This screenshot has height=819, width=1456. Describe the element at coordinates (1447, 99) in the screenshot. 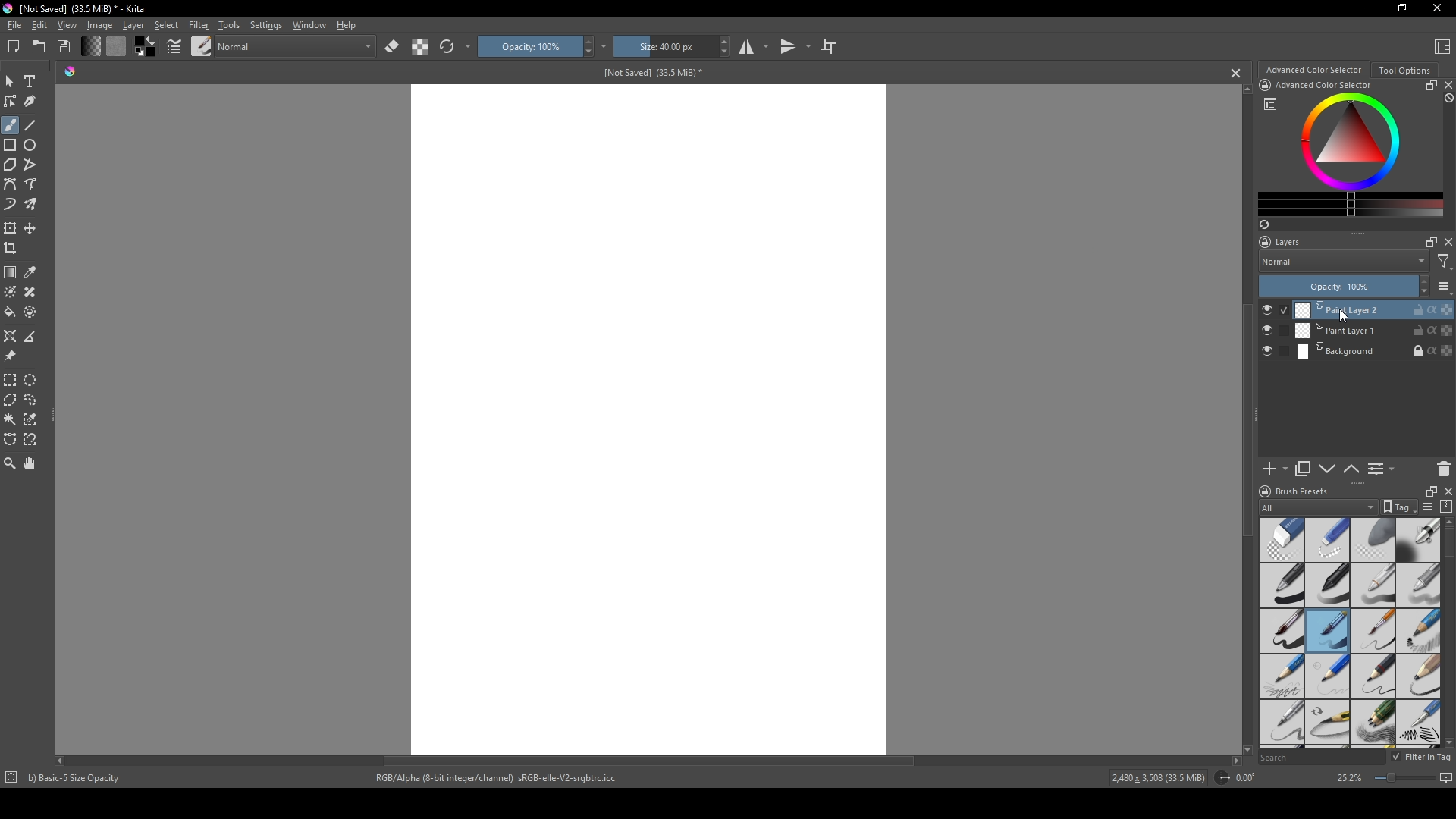

I see `block` at that location.